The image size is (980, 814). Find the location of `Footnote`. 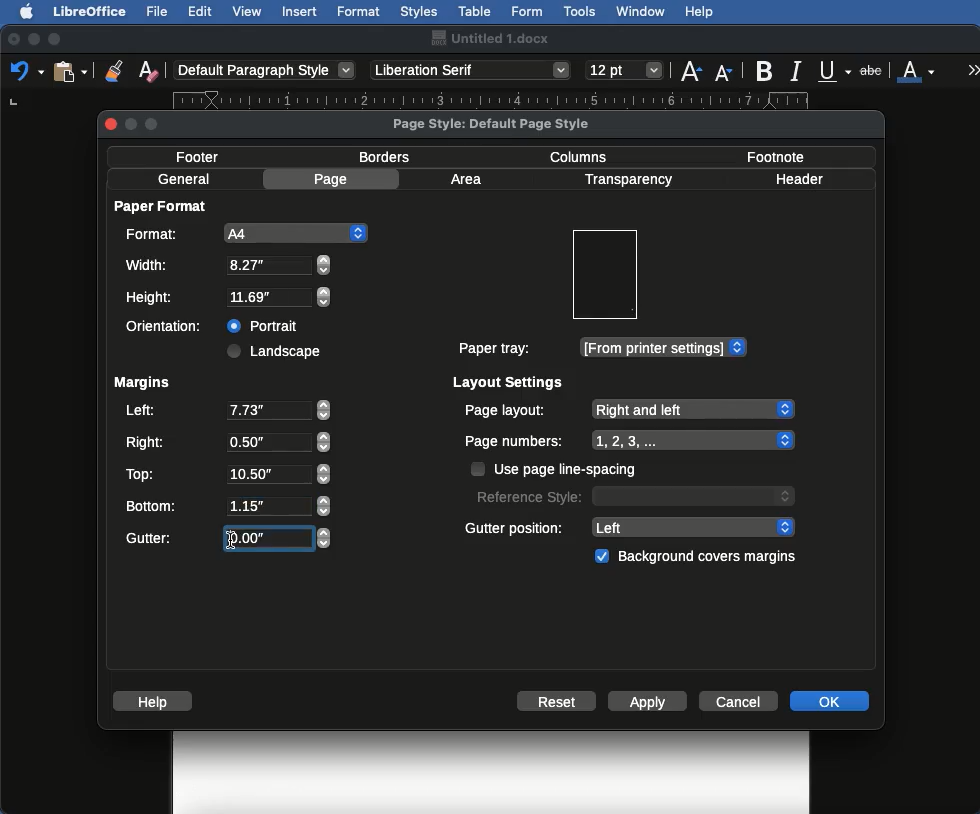

Footnote is located at coordinates (774, 156).